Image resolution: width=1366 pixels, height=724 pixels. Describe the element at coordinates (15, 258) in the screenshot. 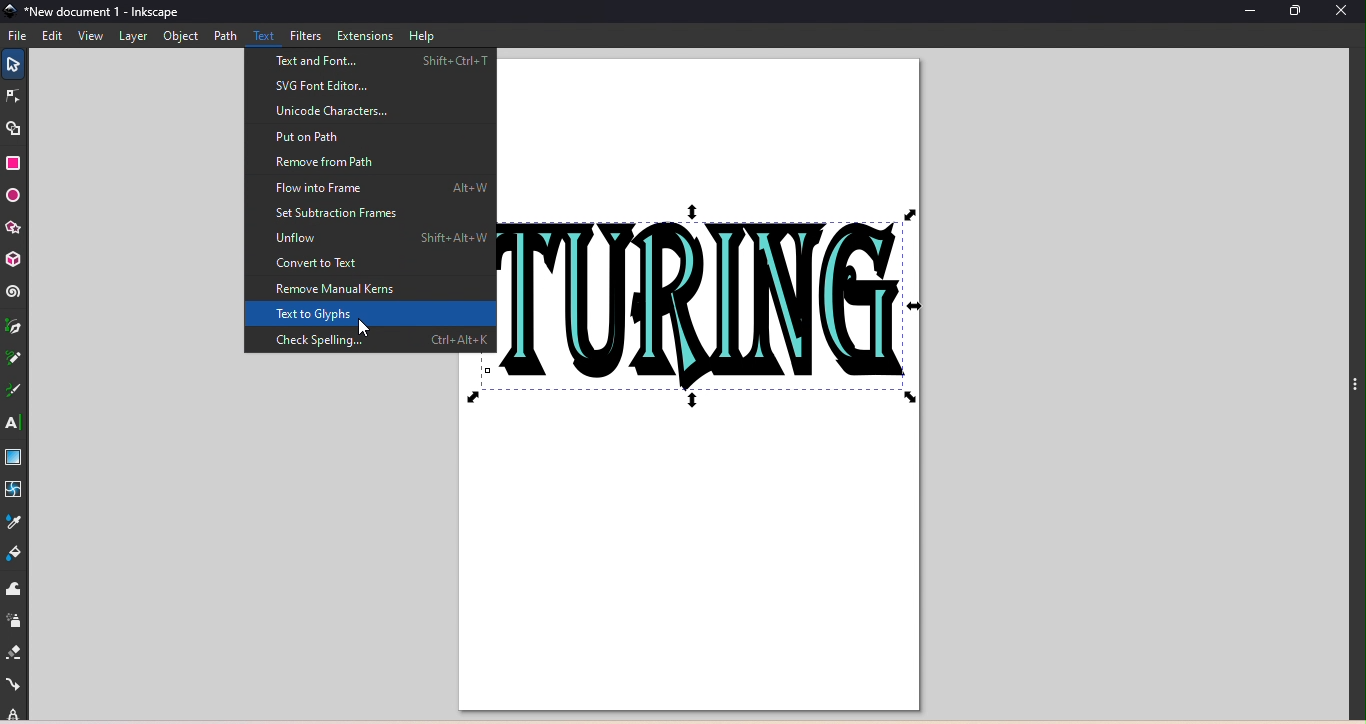

I see `3D box tool` at that location.